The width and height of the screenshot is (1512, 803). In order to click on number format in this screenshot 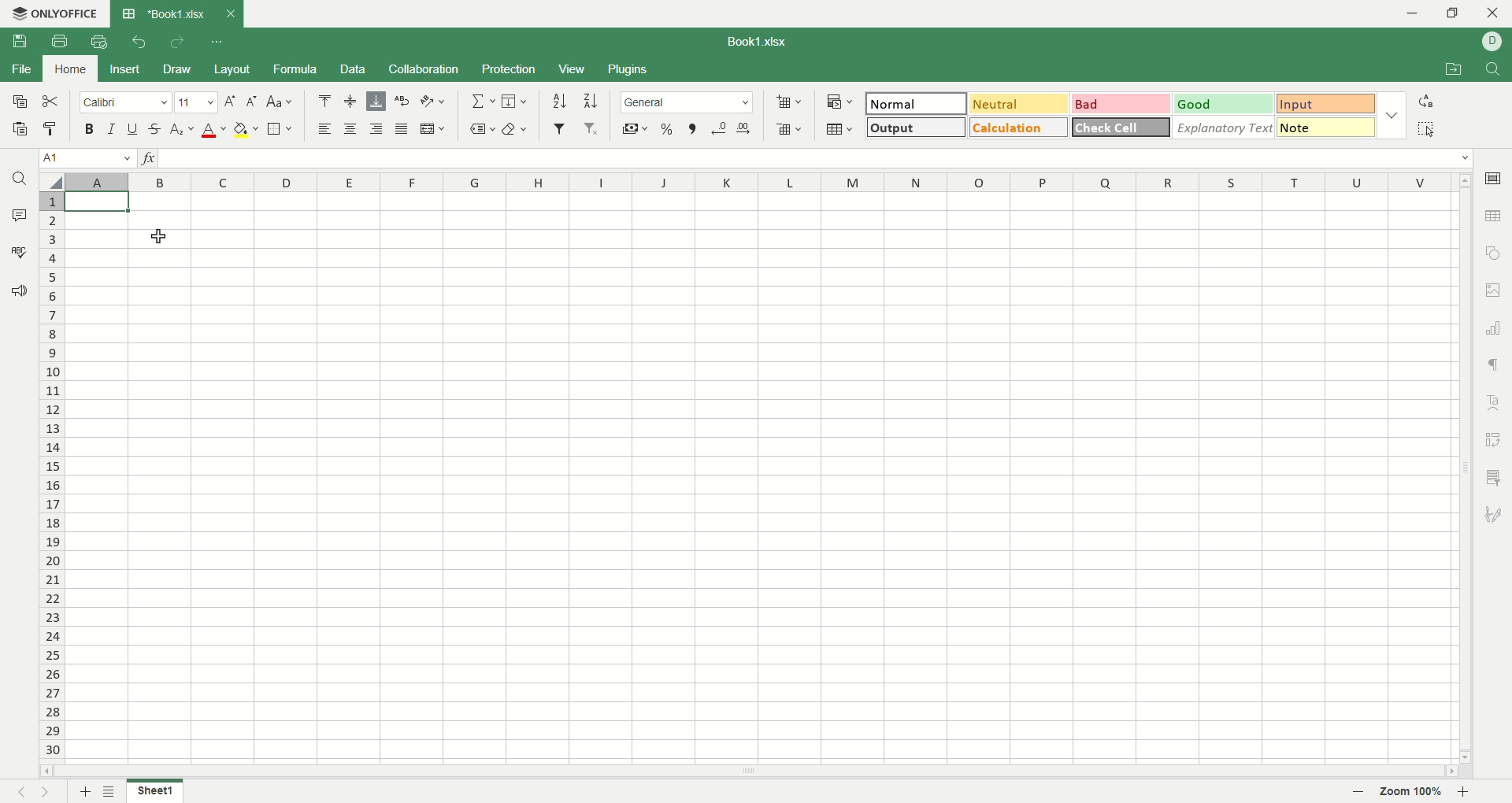, I will do `click(686, 101)`.